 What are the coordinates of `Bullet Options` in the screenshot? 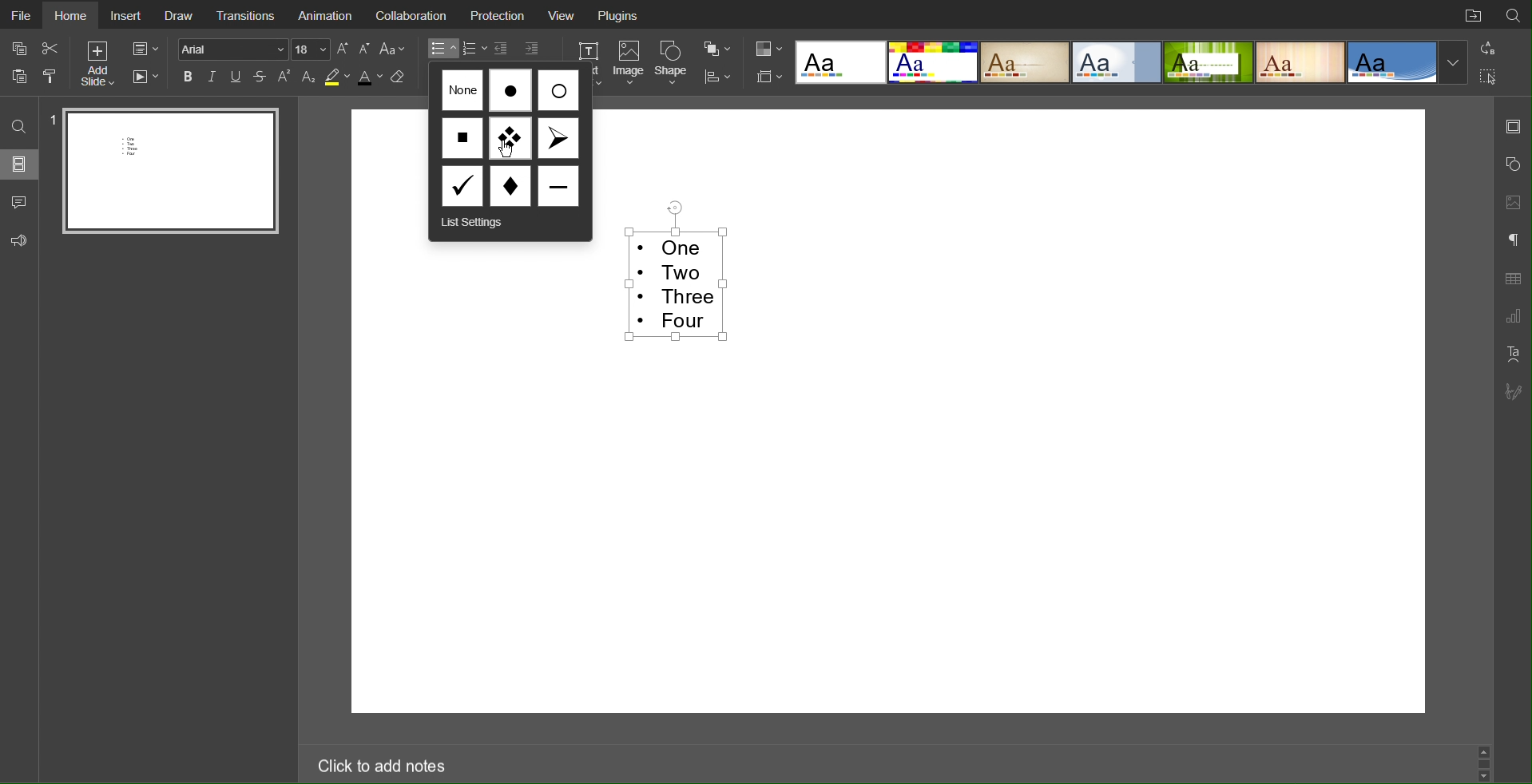 It's located at (514, 140).